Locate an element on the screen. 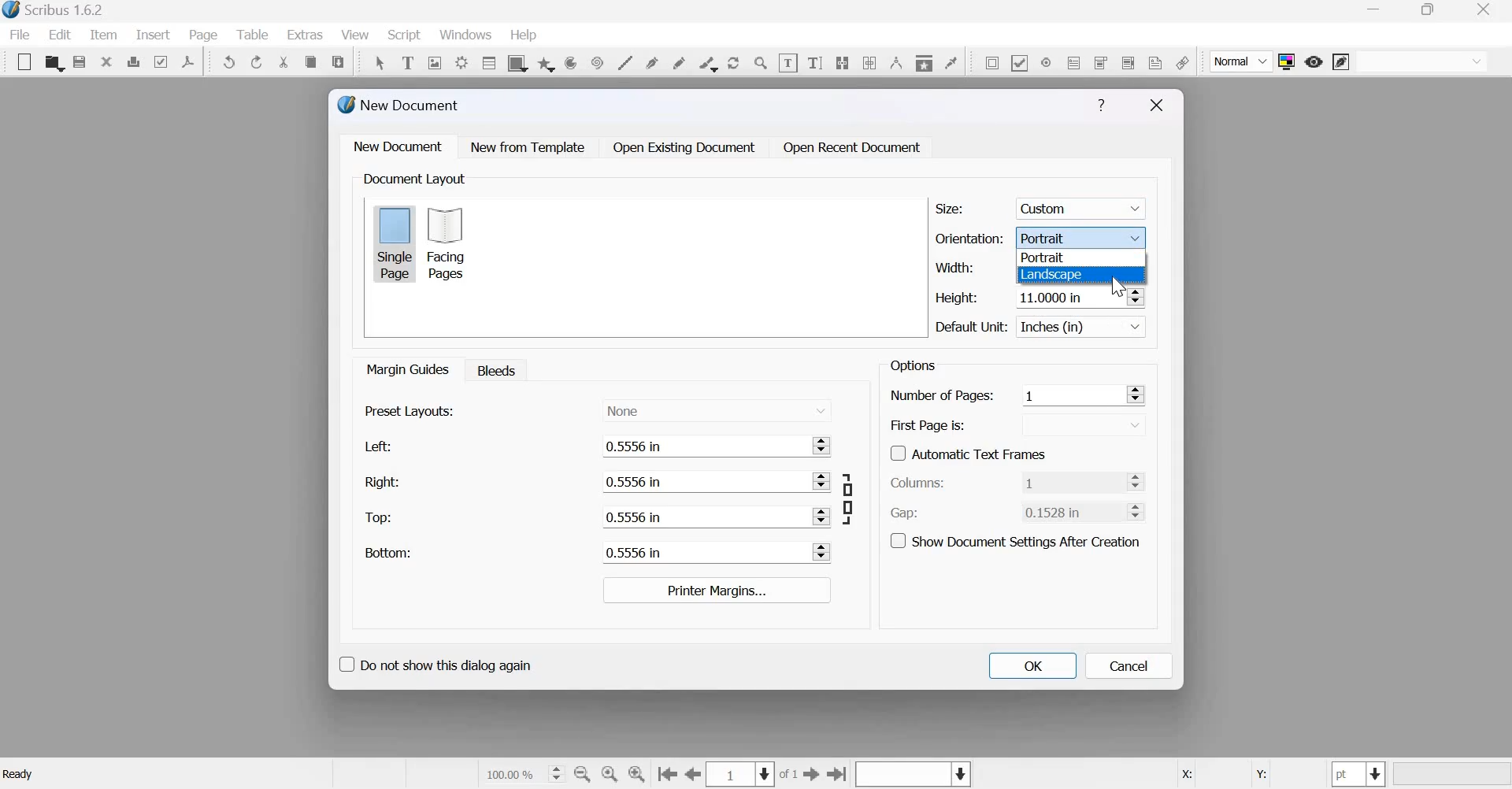 This screenshot has width=1512, height=789. custom is located at coordinates (1084, 206).